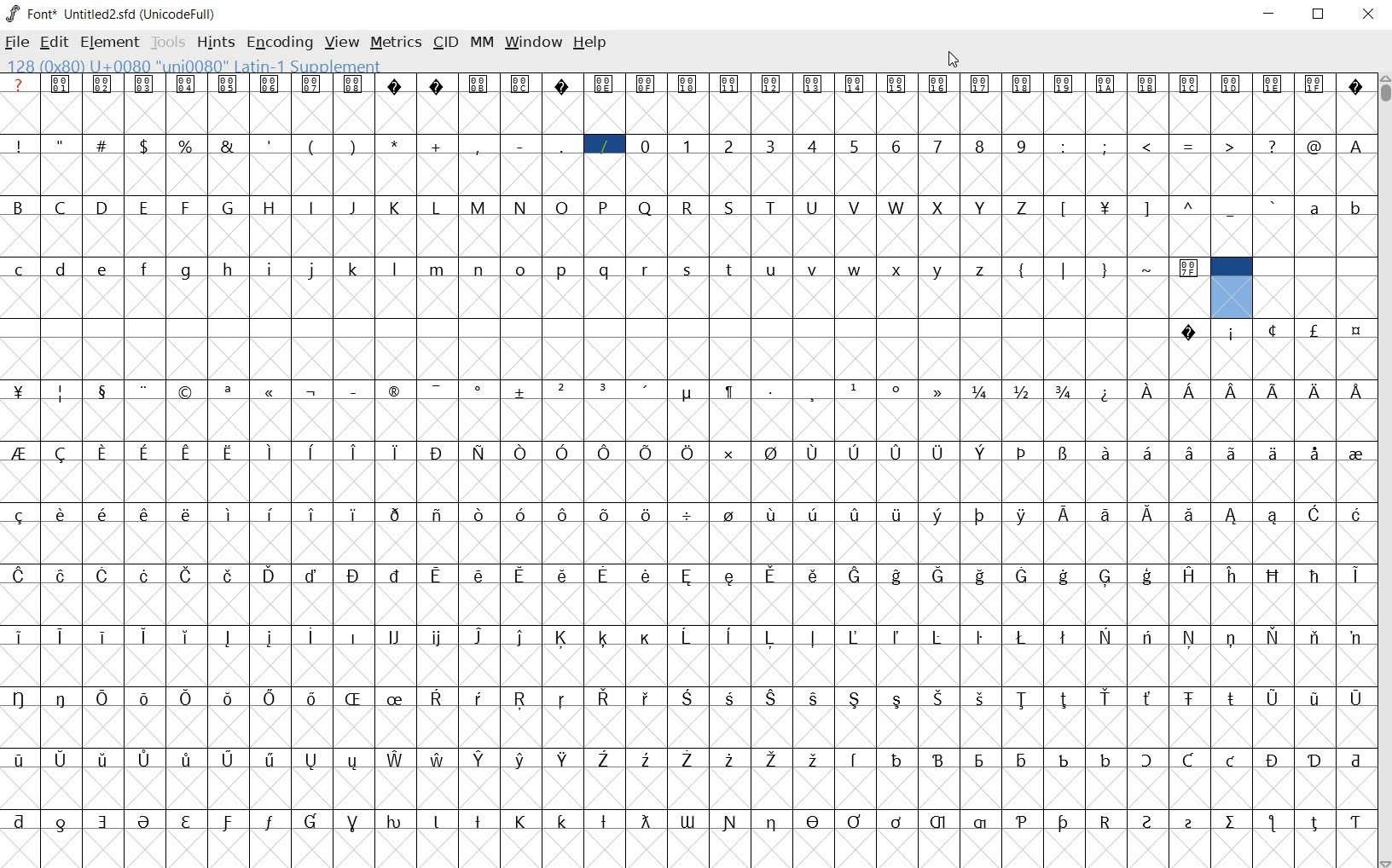  What do you see at coordinates (1275, 637) in the screenshot?
I see `Symbol` at bounding box center [1275, 637].